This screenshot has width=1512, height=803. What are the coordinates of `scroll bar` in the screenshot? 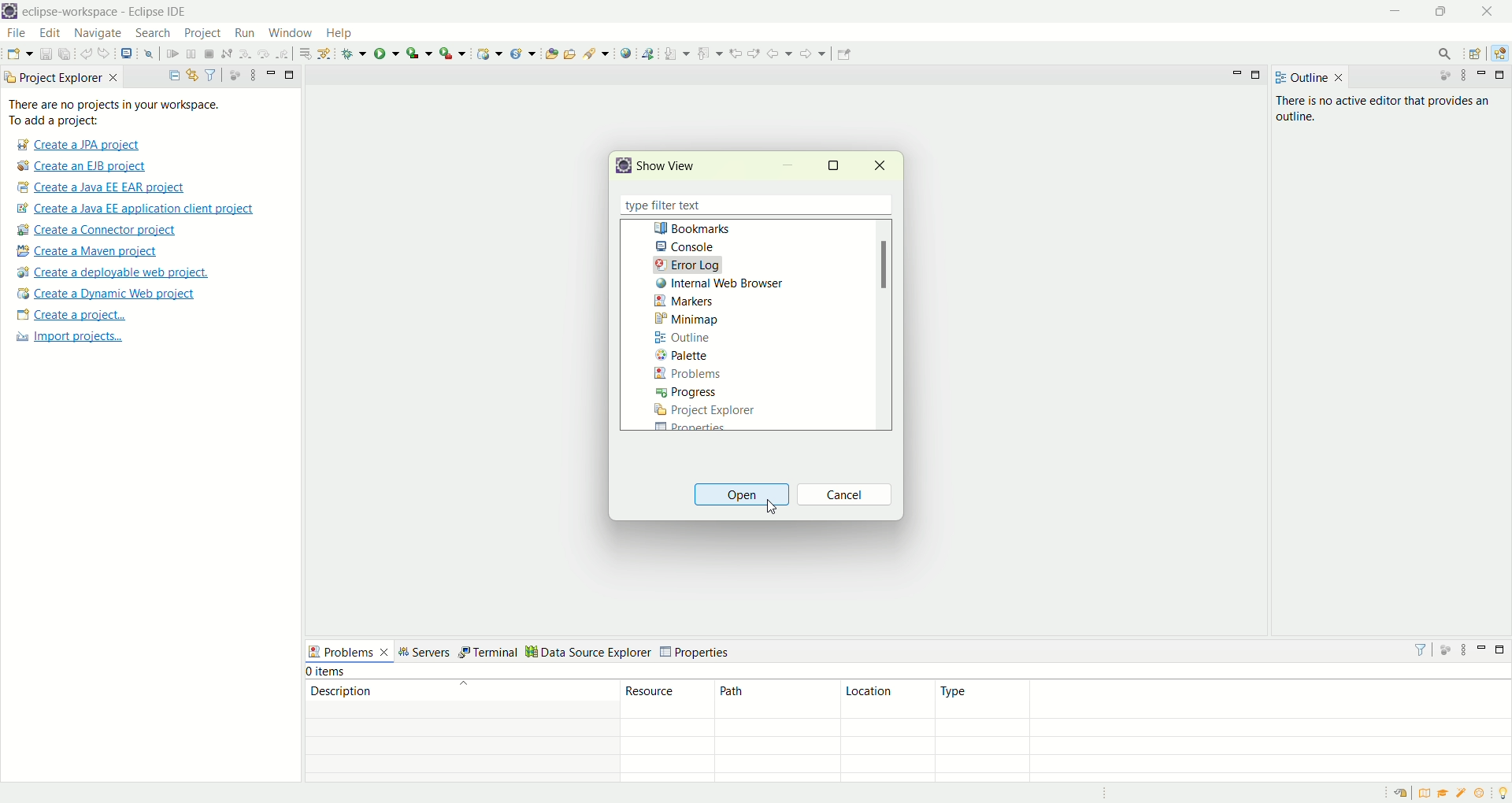 It's located at (886, 324).